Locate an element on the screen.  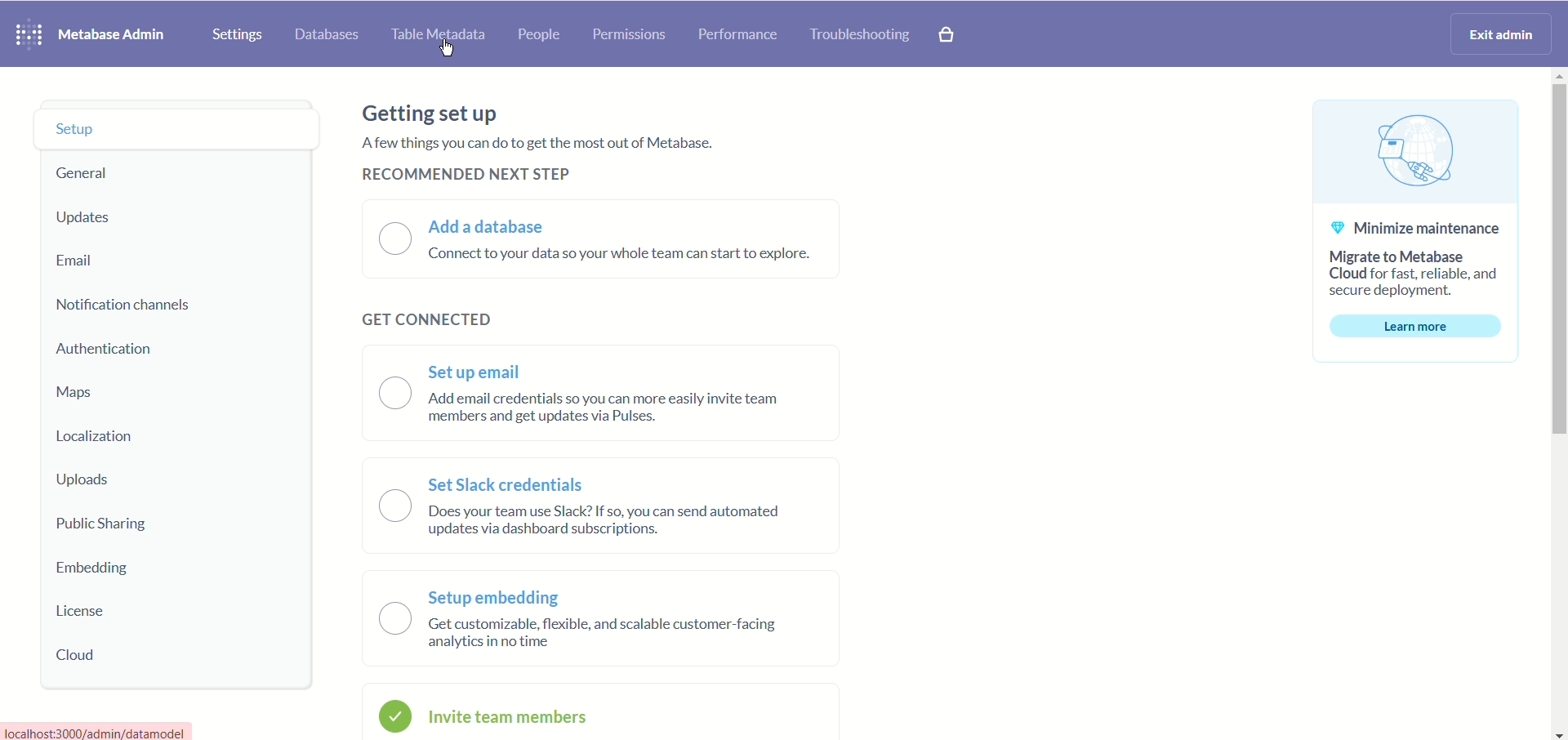
Radio button is located at coordinates (394, 391).